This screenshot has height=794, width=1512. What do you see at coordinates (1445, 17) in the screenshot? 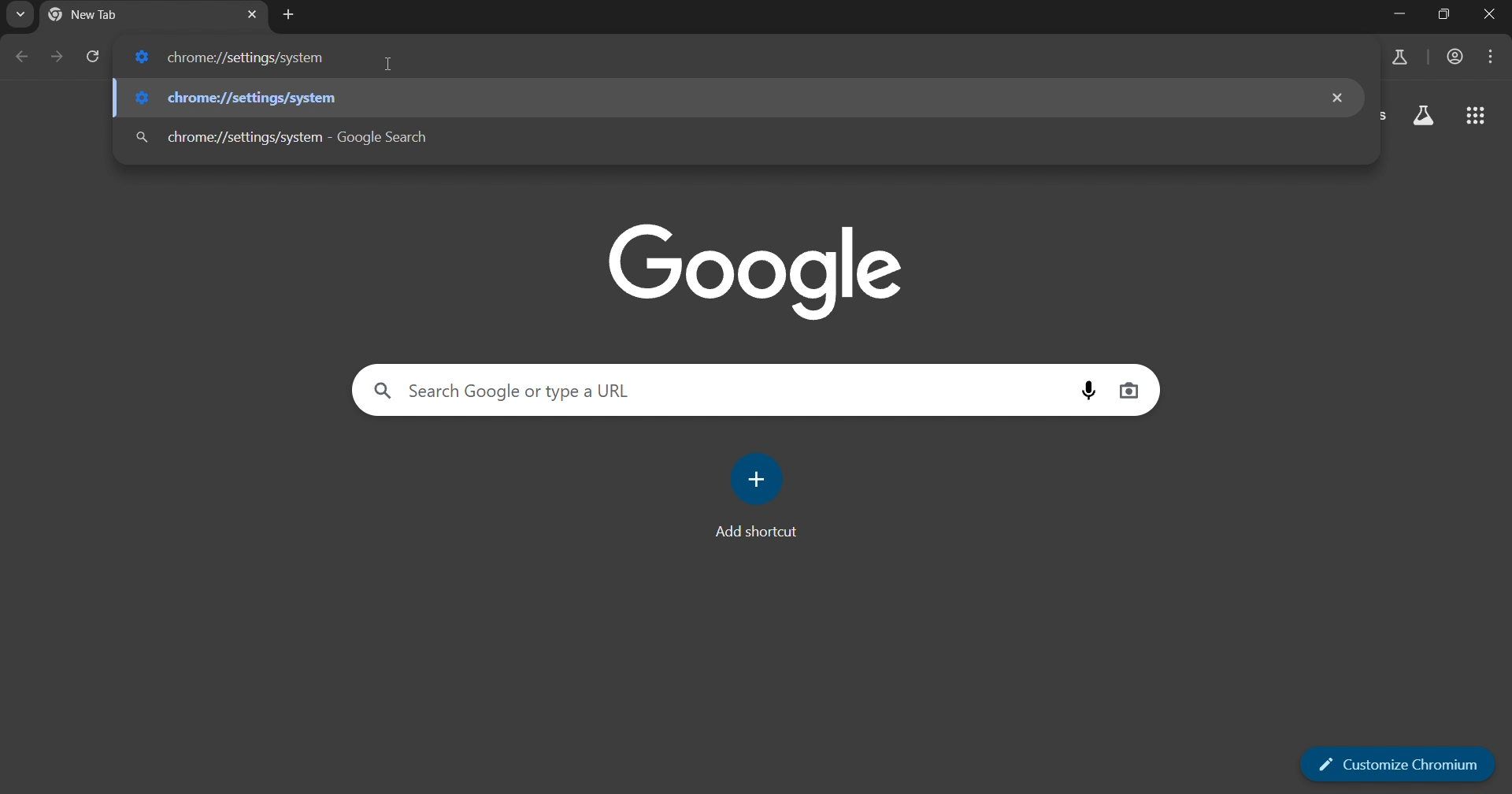
I see `Maximize` at bounding box center [1445, 17].